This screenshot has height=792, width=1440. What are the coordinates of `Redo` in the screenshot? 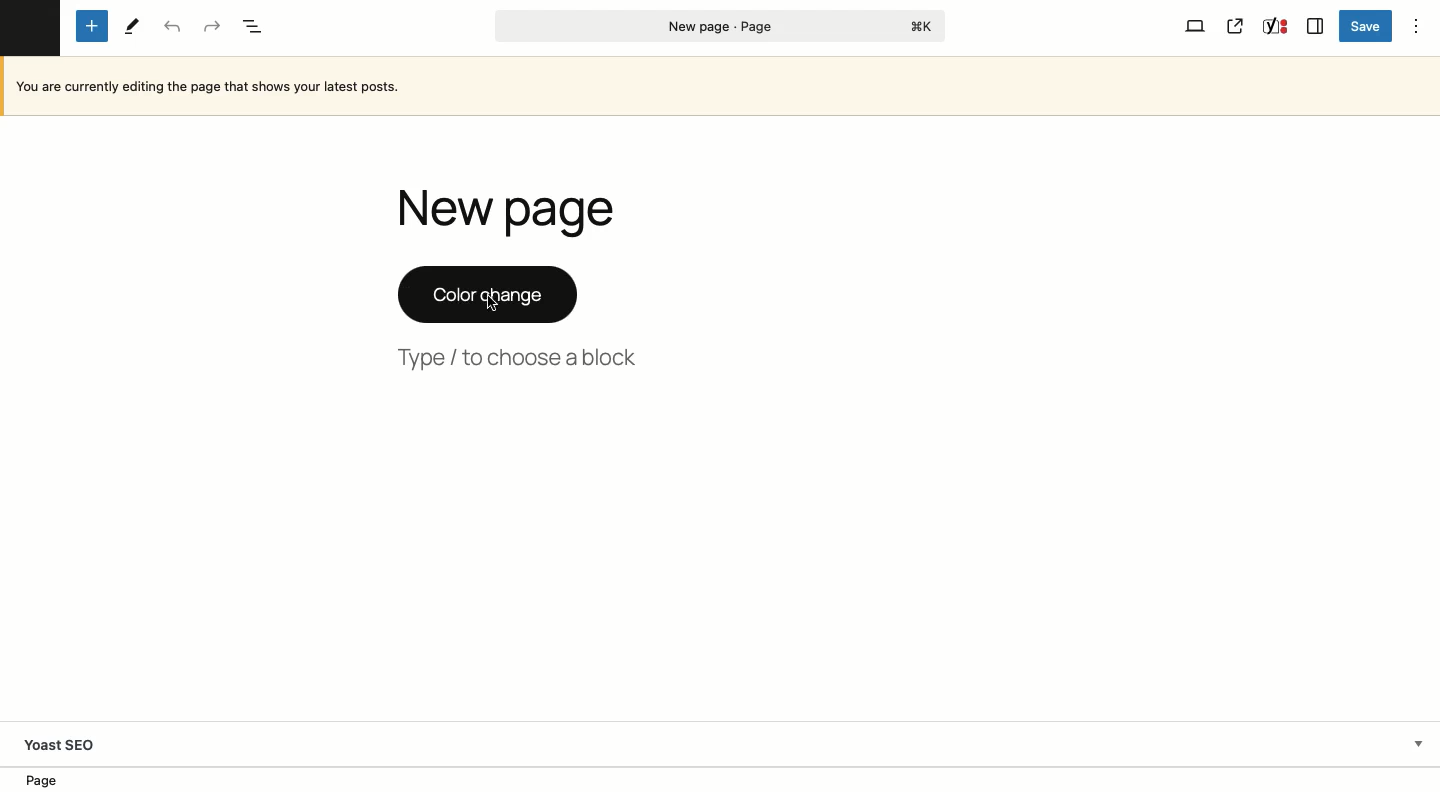 It's located at (210, 27).